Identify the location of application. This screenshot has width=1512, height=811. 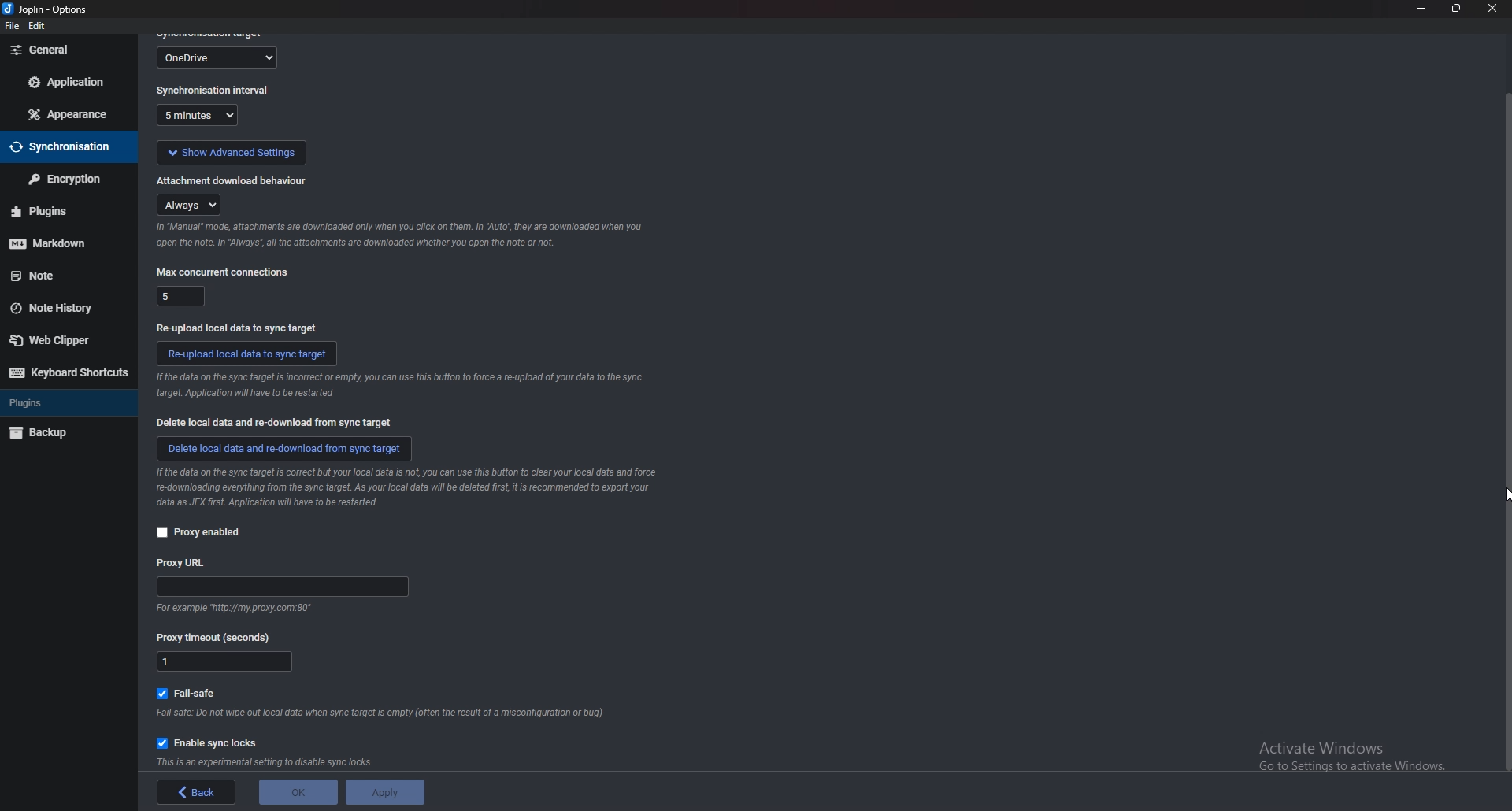
(69, 83).